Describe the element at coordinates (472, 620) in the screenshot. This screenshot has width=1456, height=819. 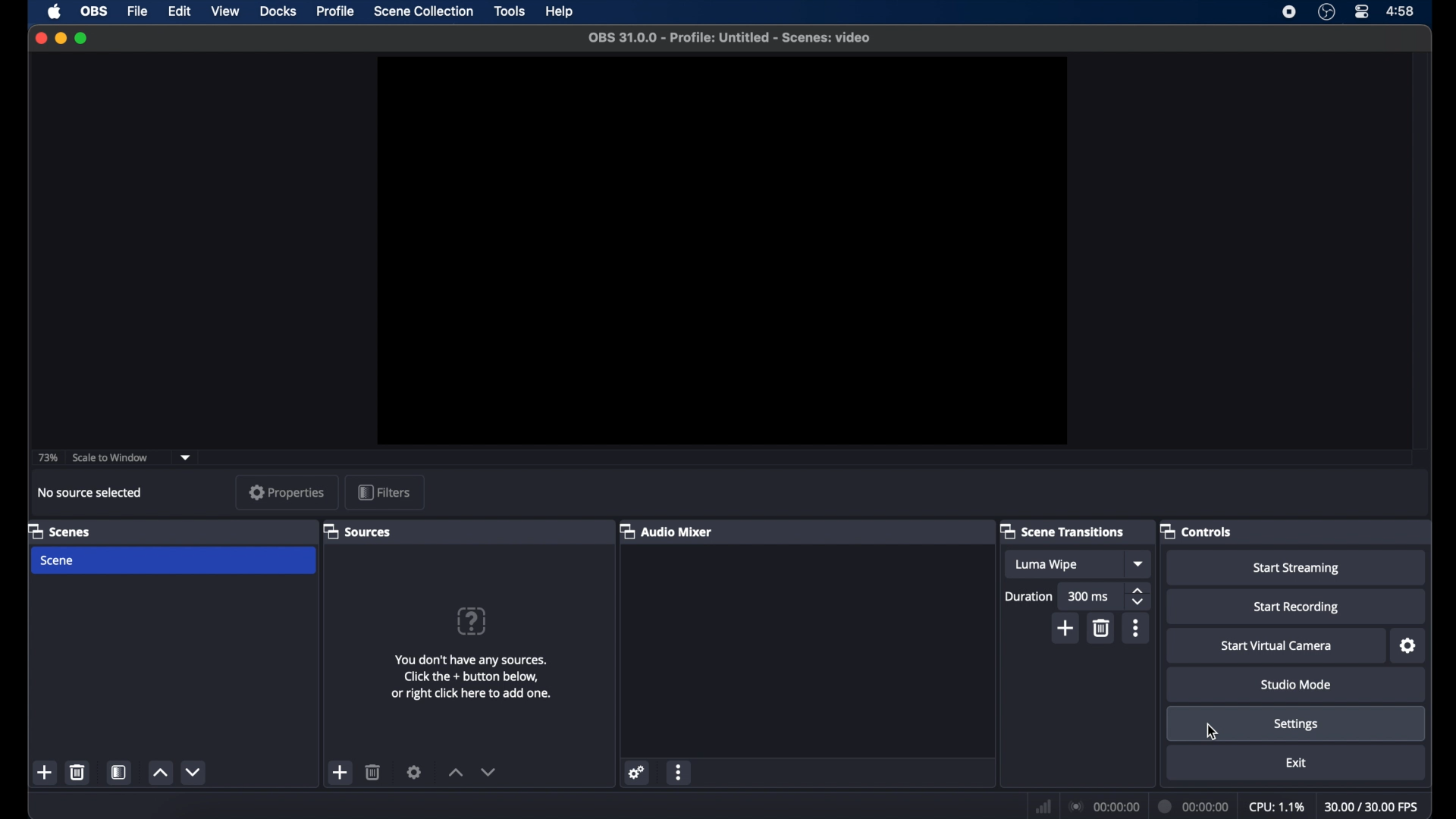
I see `question mark` at that location.